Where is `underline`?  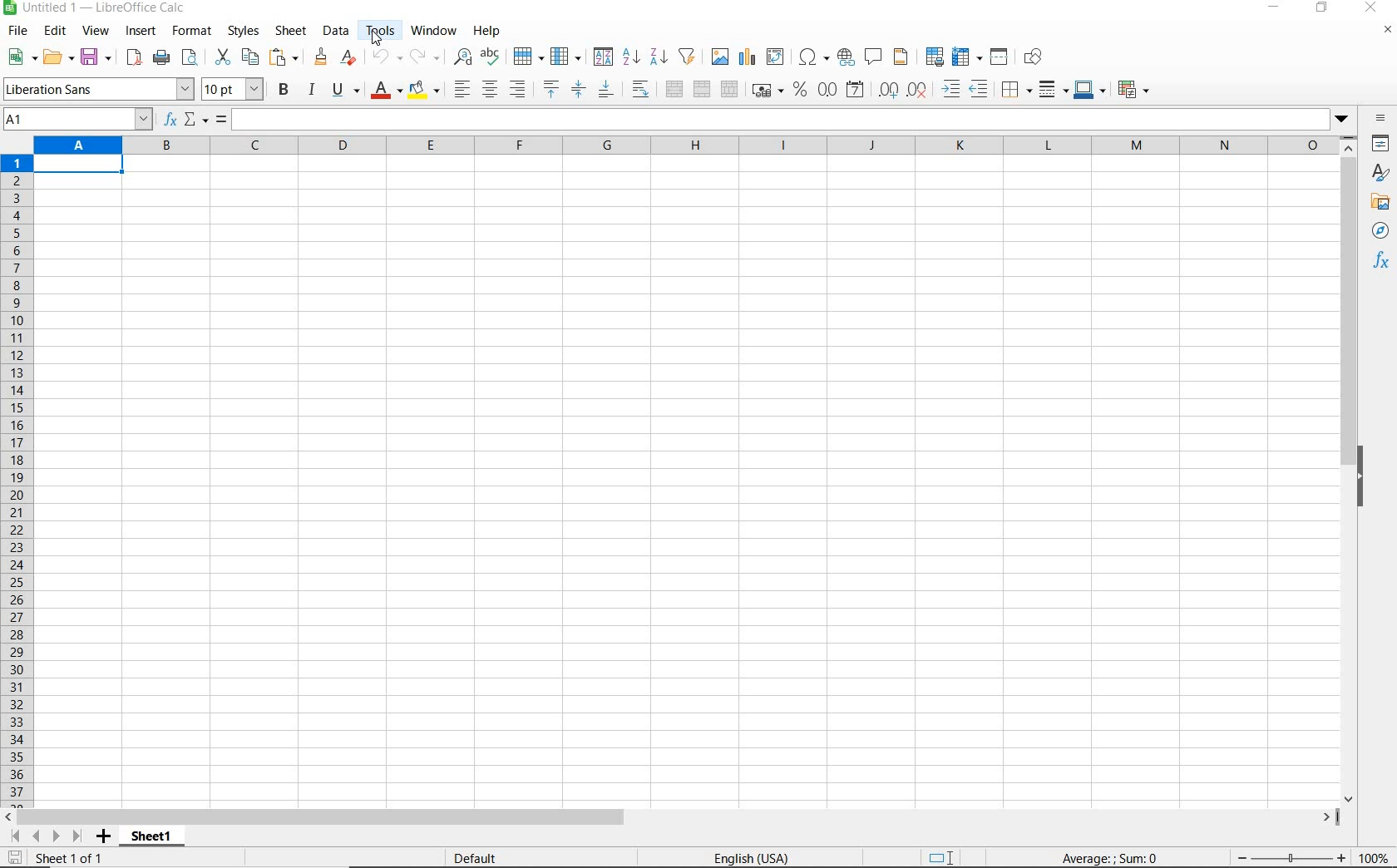
underline is located at coordinates (344, 89).